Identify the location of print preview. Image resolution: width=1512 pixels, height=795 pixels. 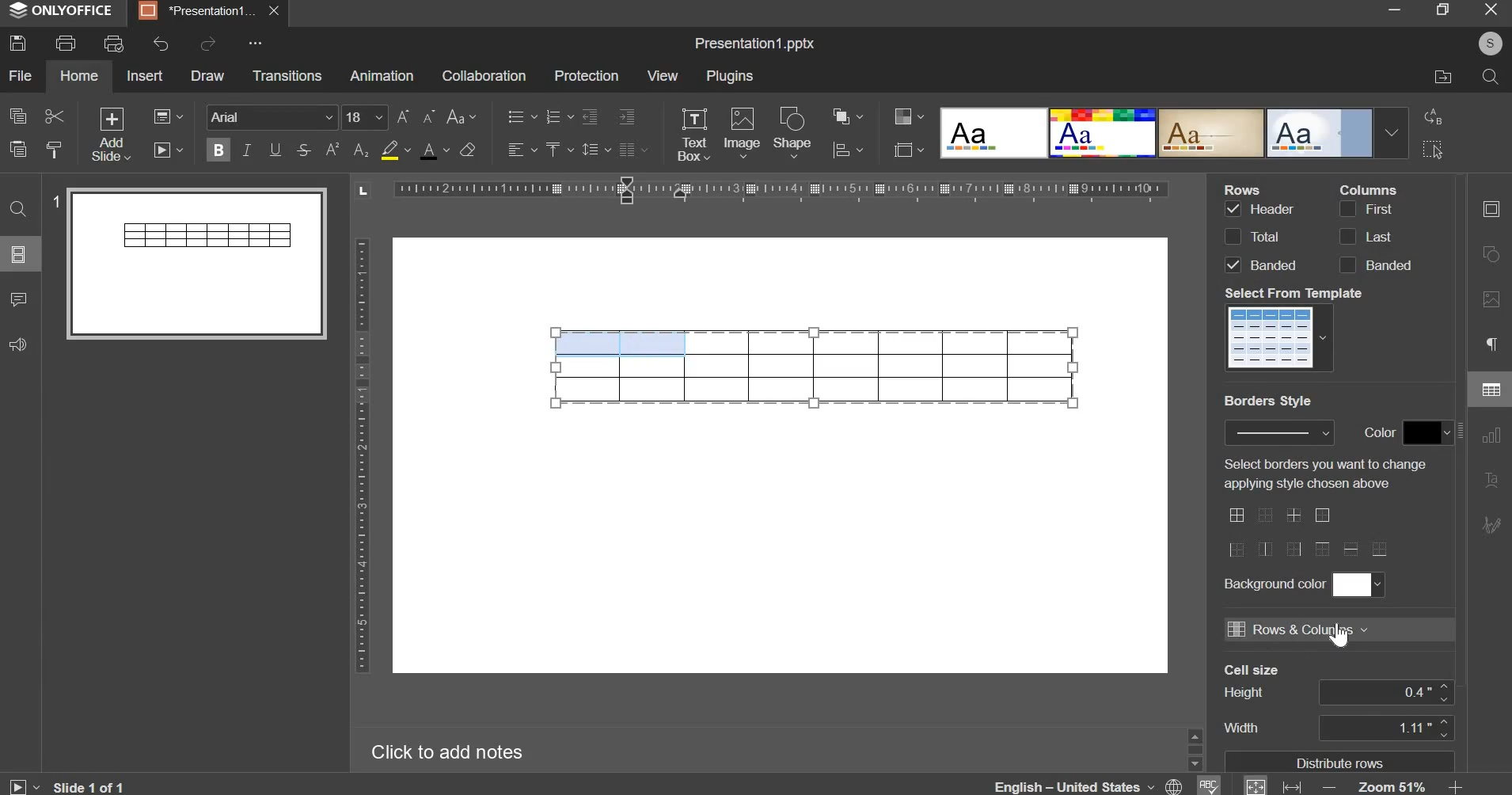
(113, 45).